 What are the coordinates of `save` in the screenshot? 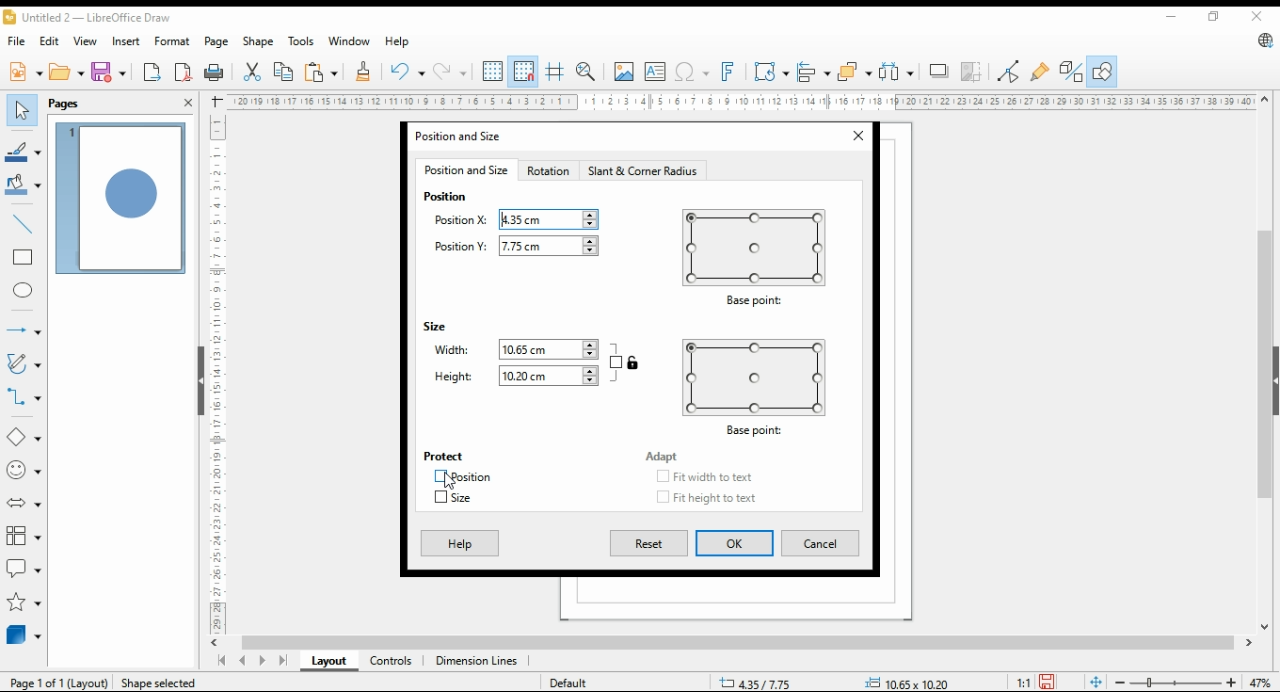 It's located at (108, 71).